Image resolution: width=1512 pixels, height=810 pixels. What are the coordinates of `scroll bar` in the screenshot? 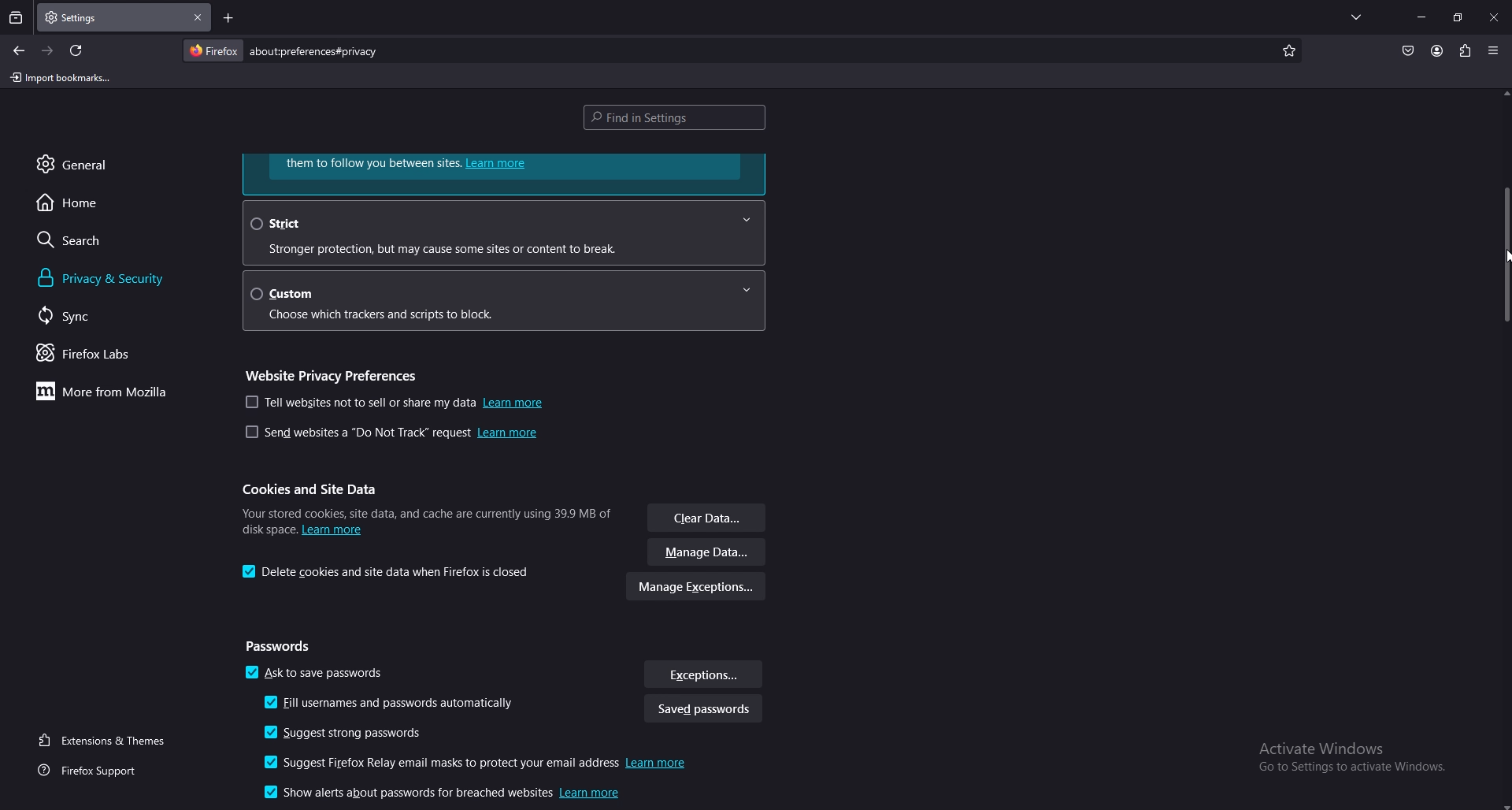 It's located at (1506, 253).